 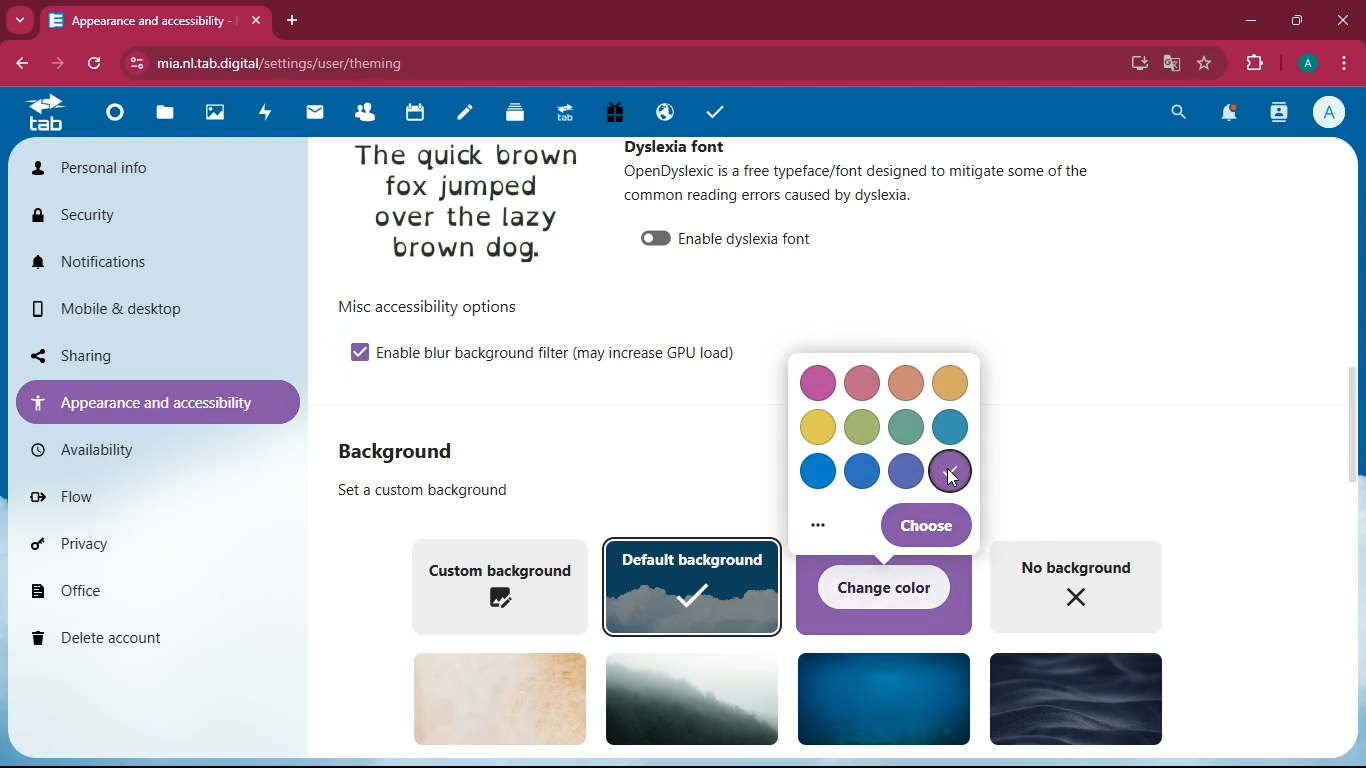 What do you see at coordinates (260, 114) in the screenshot?
I see `activity` at bounding box center [260, 114].